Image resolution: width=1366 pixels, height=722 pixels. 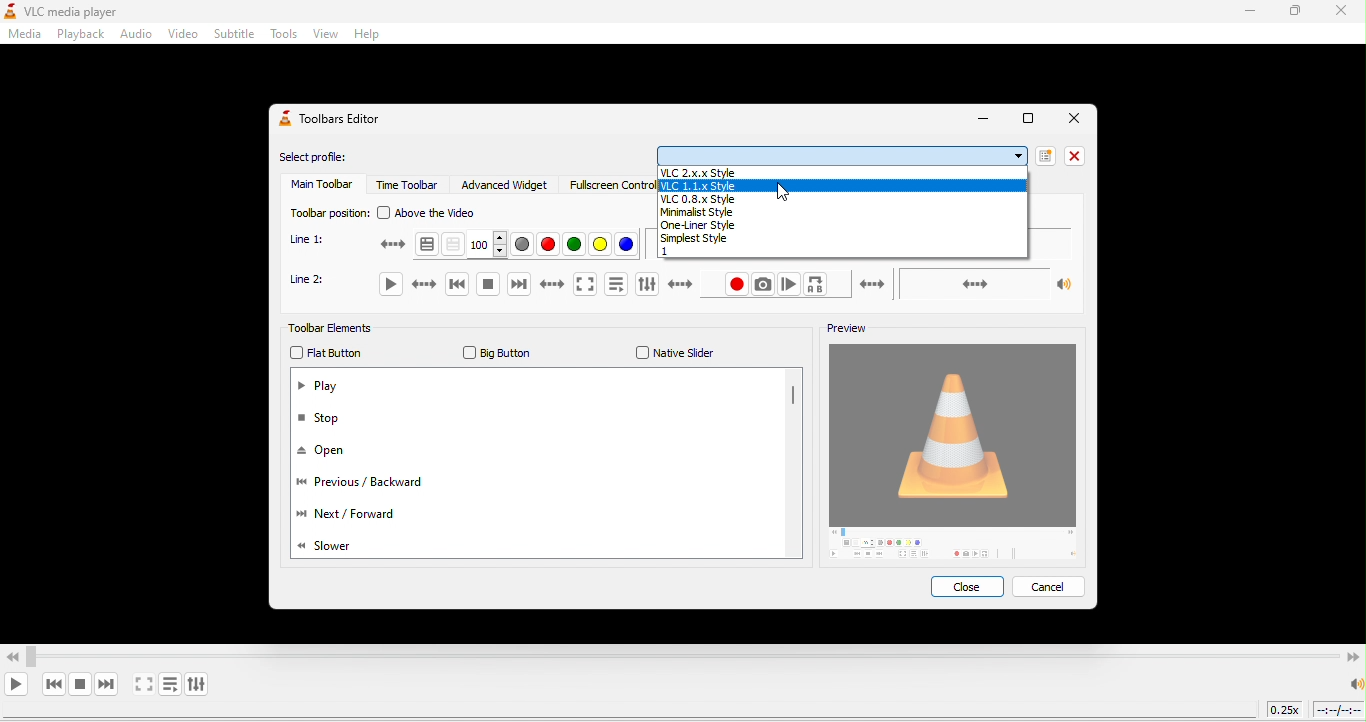 I want to click on play, so click(x=19, y=685).